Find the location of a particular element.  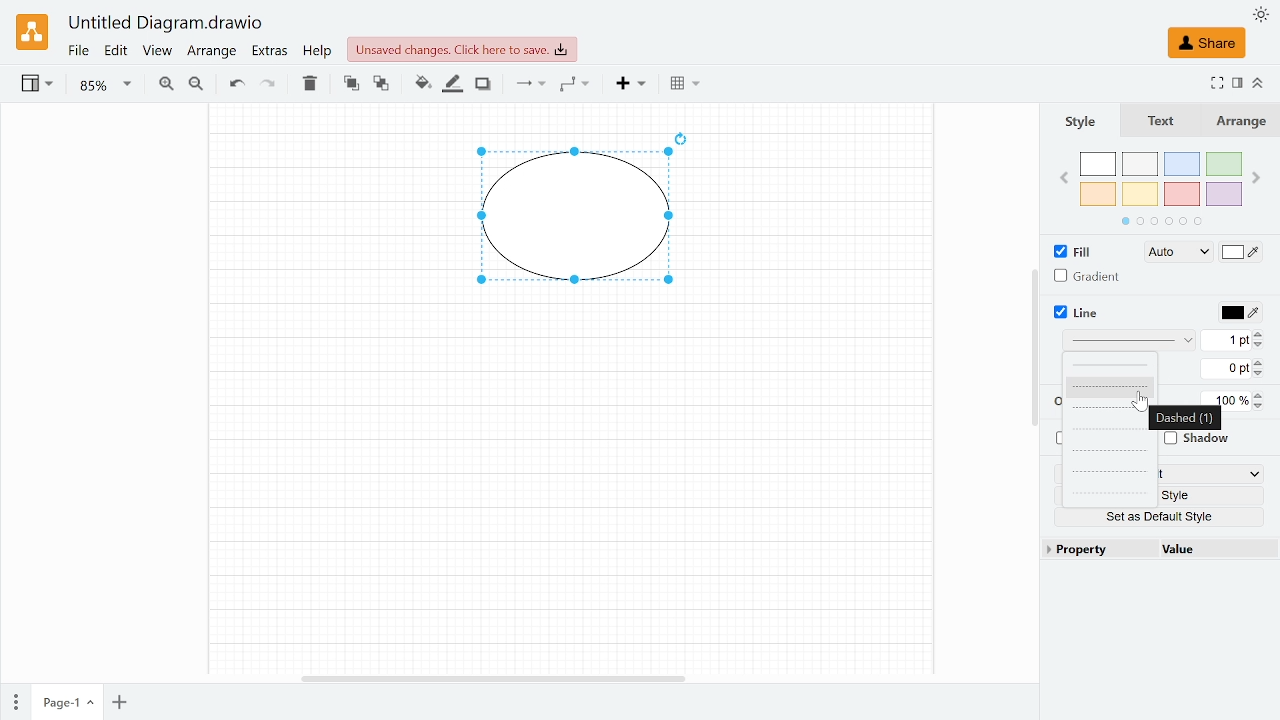

Color pallet is located at coordinates (1162, 188).